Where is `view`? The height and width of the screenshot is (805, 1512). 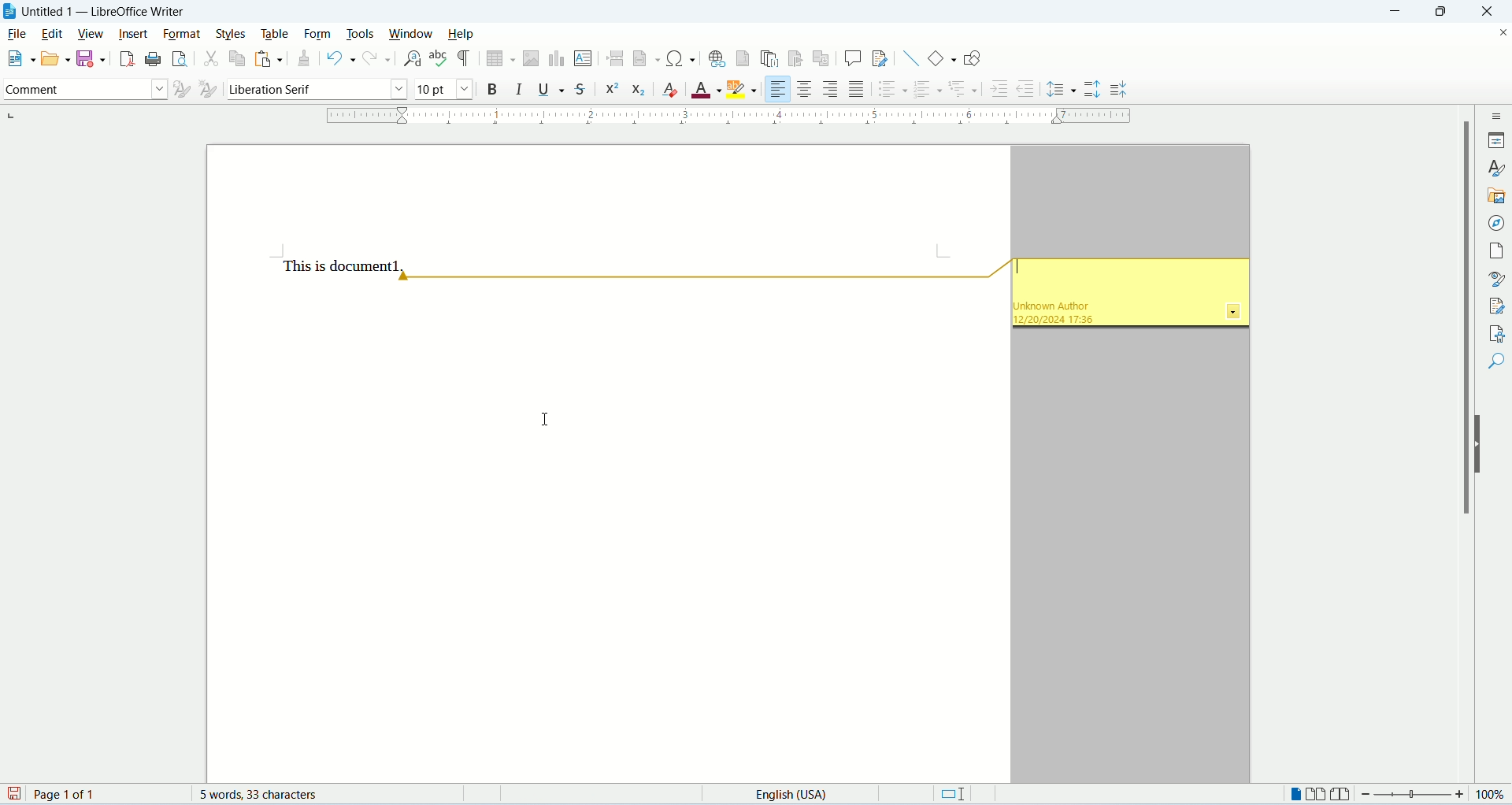
view is located at coordinates (91, 34).